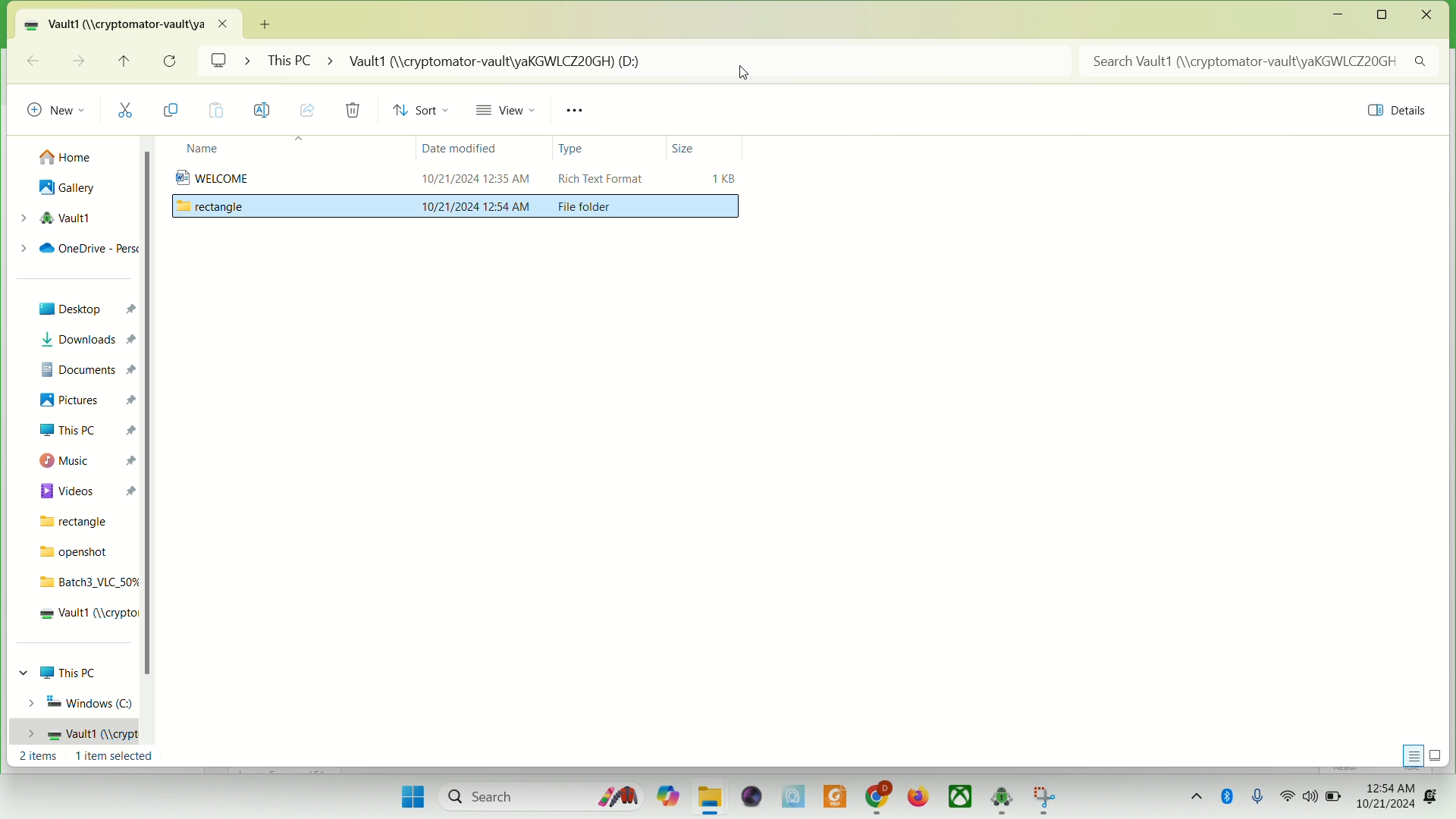 This screenshot has height=819, width=1456. I want to click on view, so click(510, 113).